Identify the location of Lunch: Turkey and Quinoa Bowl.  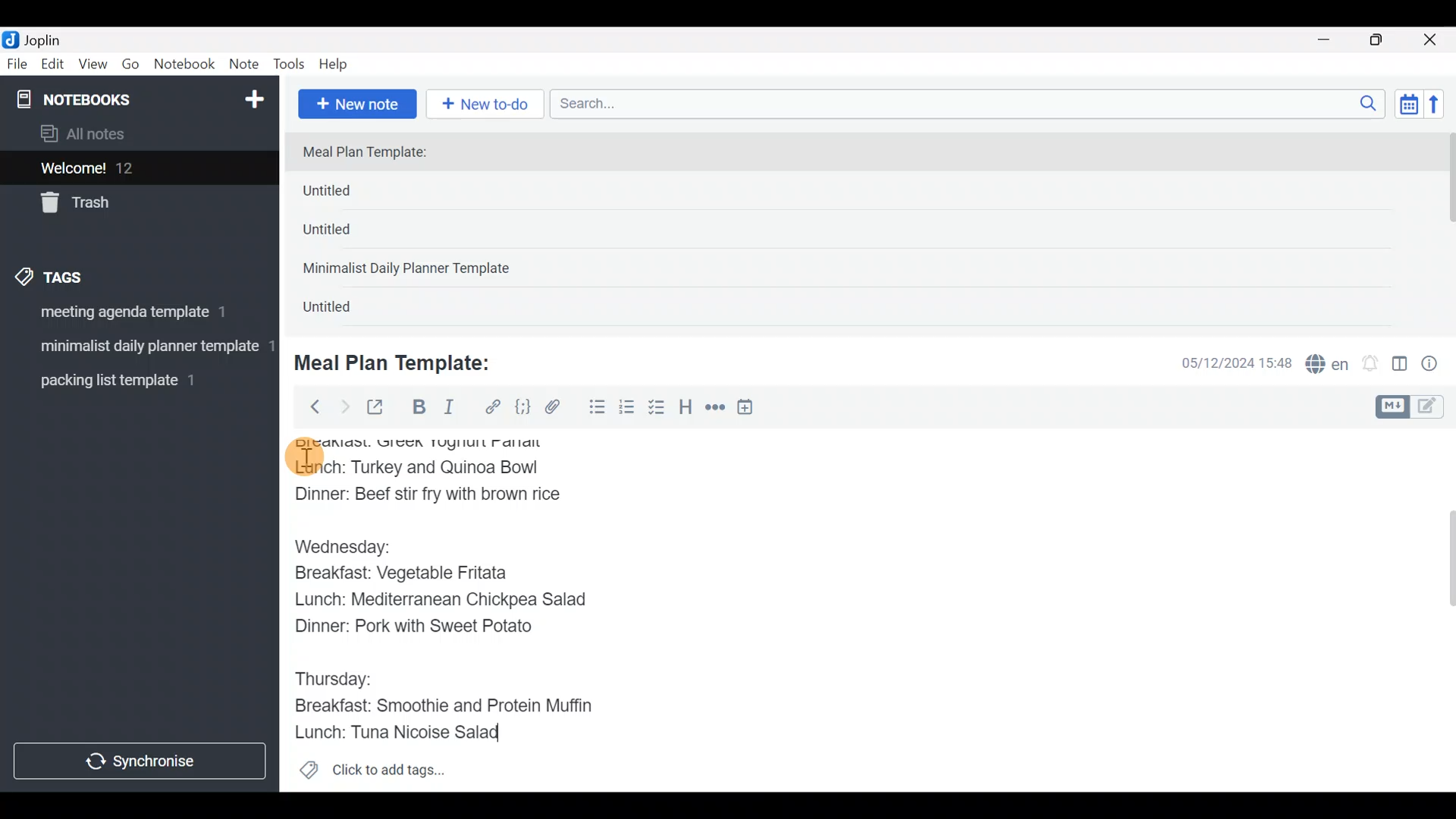
(421, 470).